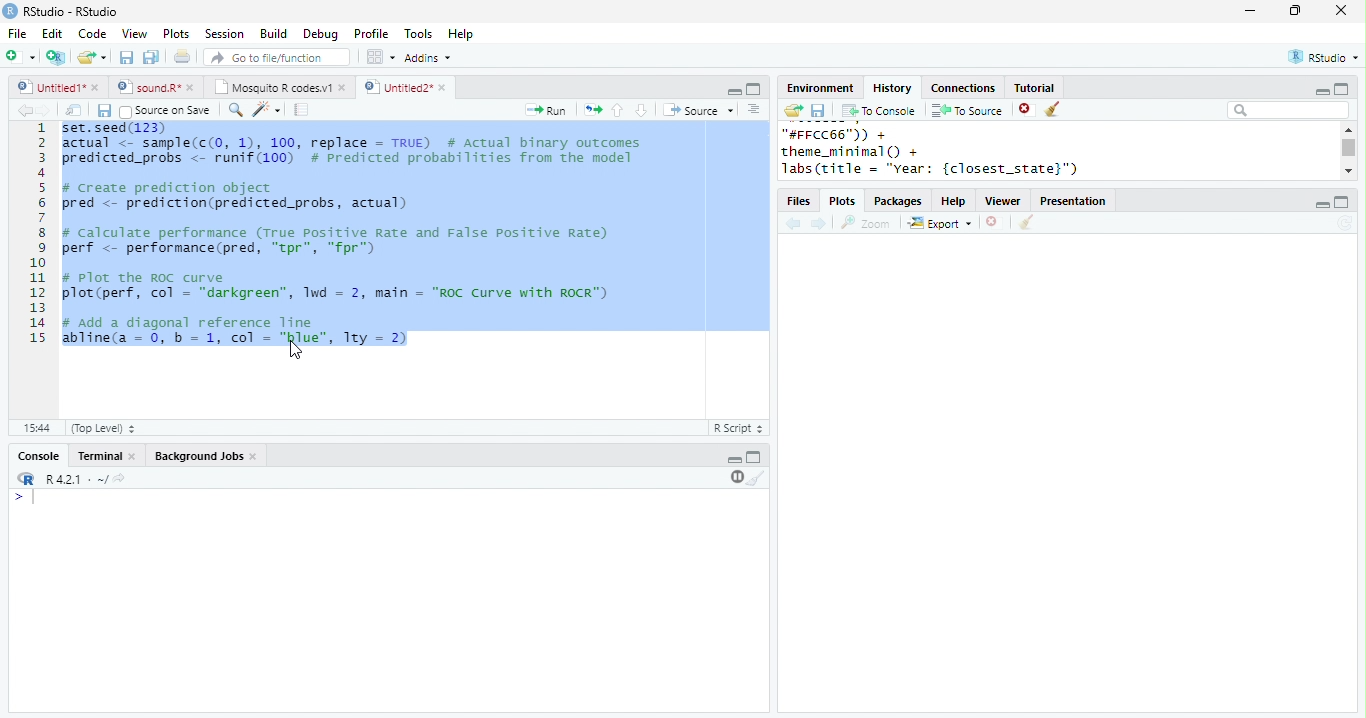  Describe the element at coordinates (338, 287) in the screenshot. I see `# Plot the ROC curveplot(perf, col - "darkgreen”, 1wd = 2, main = "ROC Curve with ROCR")` at that location.